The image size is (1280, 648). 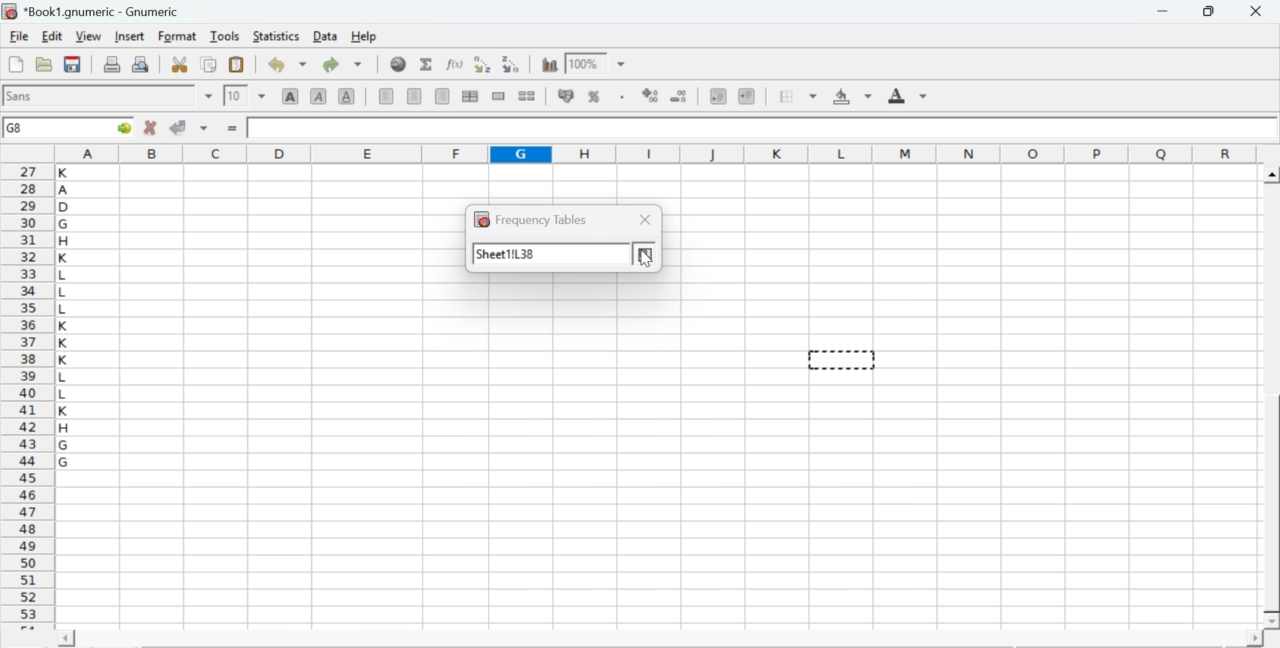 What do you see at coordinates (122, 127) in the screenshot?
I see `go to` at bounding box center [122, 127].